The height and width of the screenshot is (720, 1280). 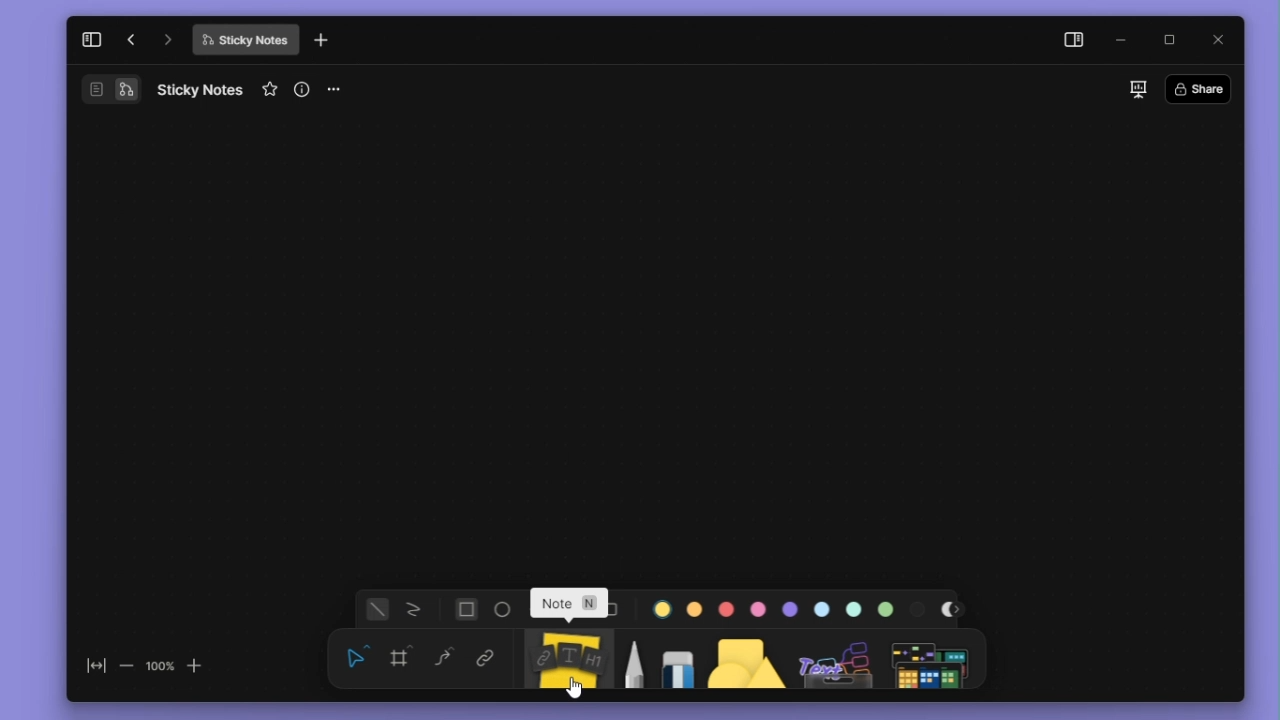 I want to click on side  panel, so click(x=1070, y=40).